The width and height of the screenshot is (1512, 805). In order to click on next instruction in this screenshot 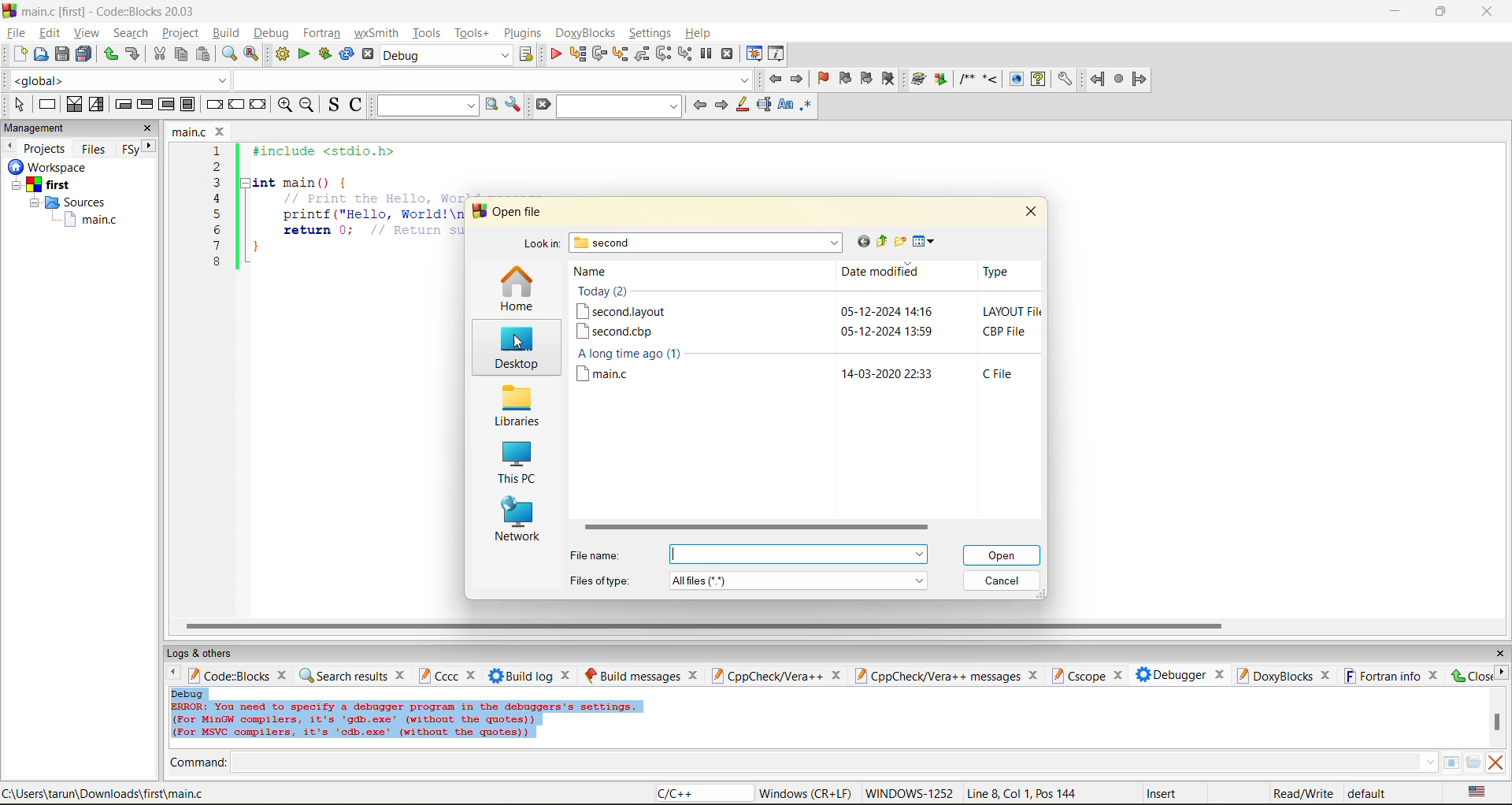, I will do `click(663, 54)`.